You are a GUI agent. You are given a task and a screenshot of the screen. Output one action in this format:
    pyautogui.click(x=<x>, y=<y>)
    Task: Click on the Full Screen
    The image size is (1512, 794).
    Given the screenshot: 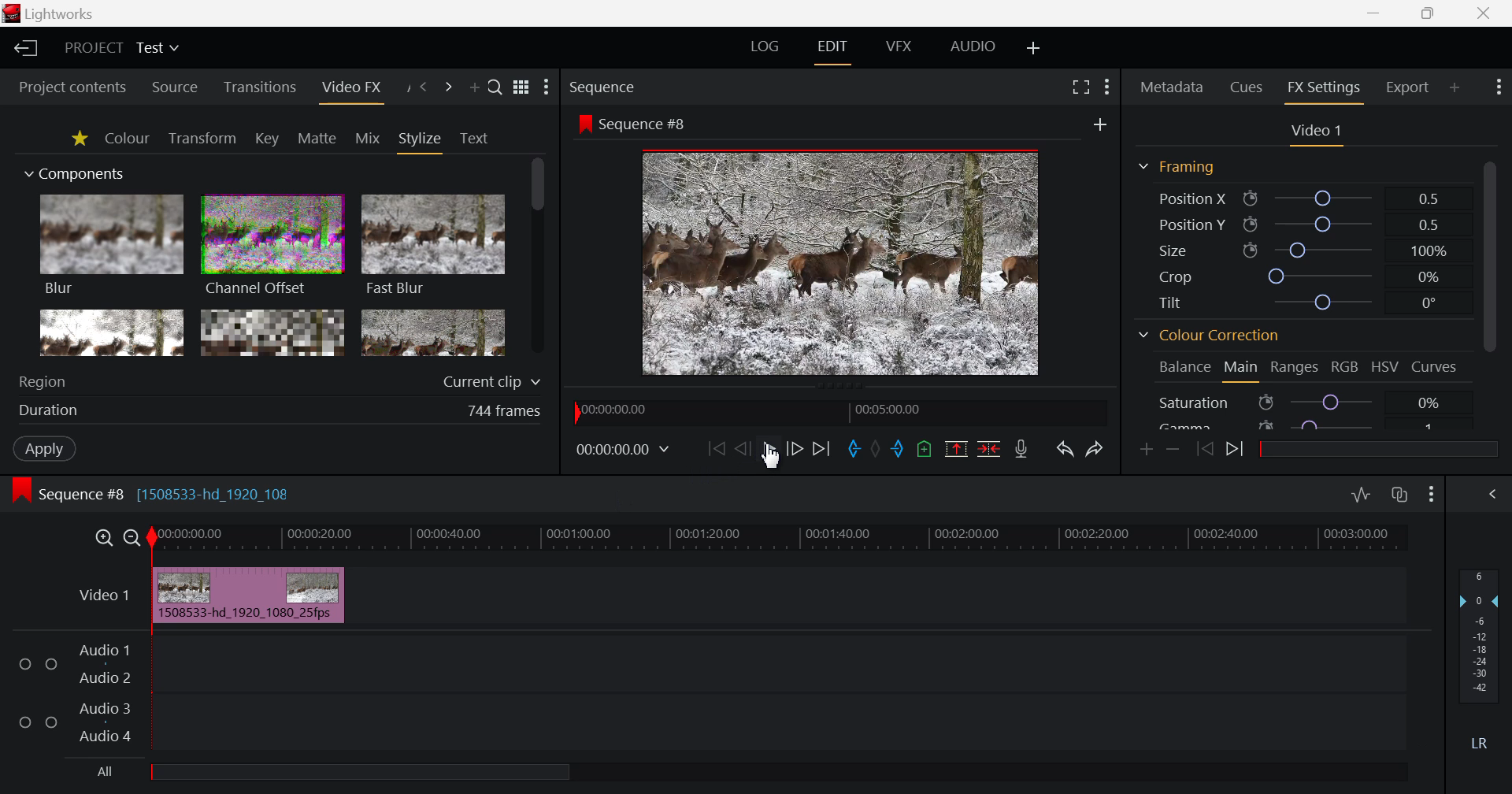 What is the action you would take?
    pyautogui.click(x=1077, y=90)
    